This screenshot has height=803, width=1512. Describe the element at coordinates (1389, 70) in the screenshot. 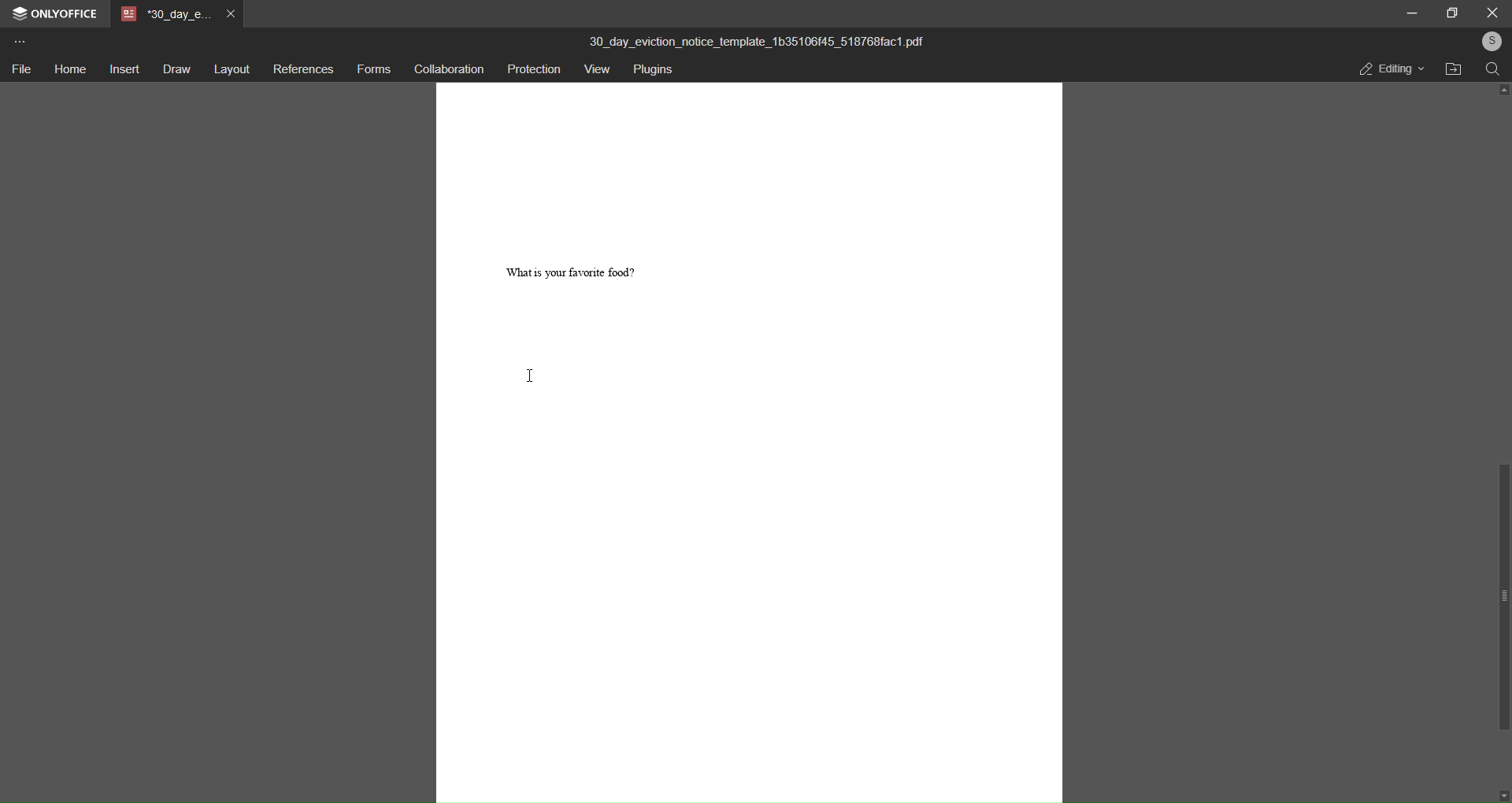

I see `editing` at that location.